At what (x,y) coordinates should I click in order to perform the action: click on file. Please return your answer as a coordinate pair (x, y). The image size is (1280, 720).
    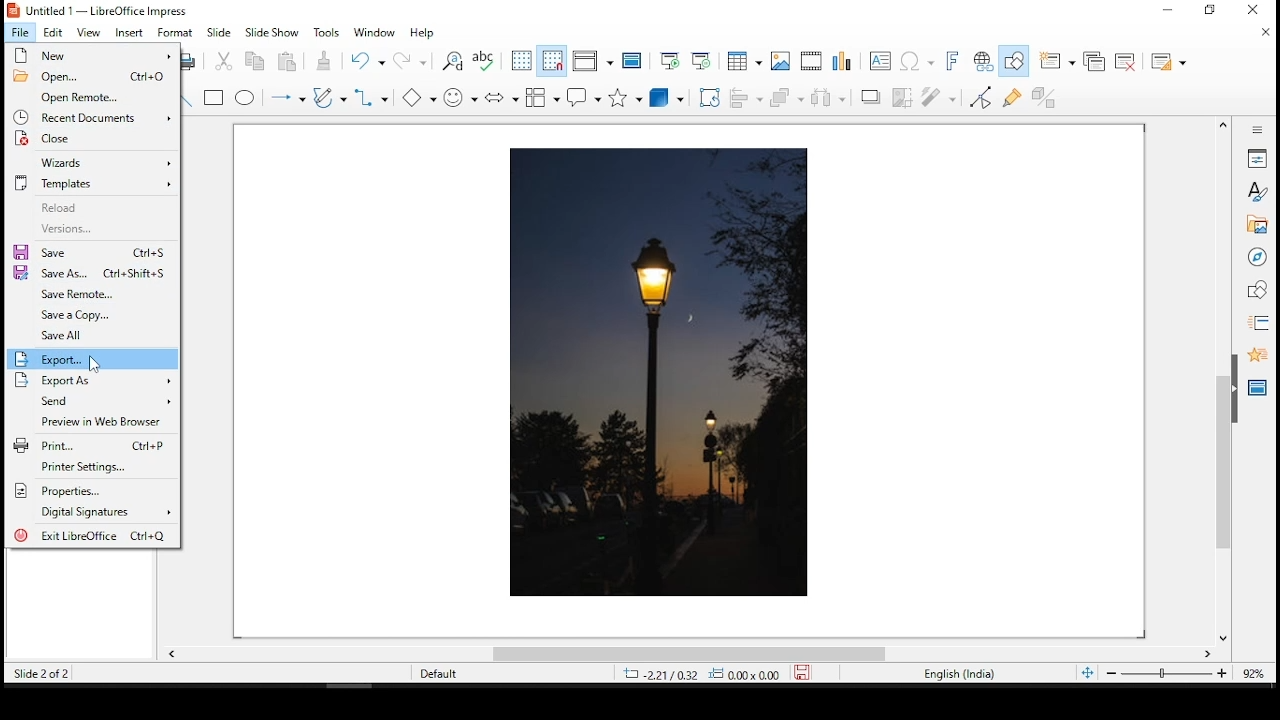
    Looking at the image, I should click on (20, 32).